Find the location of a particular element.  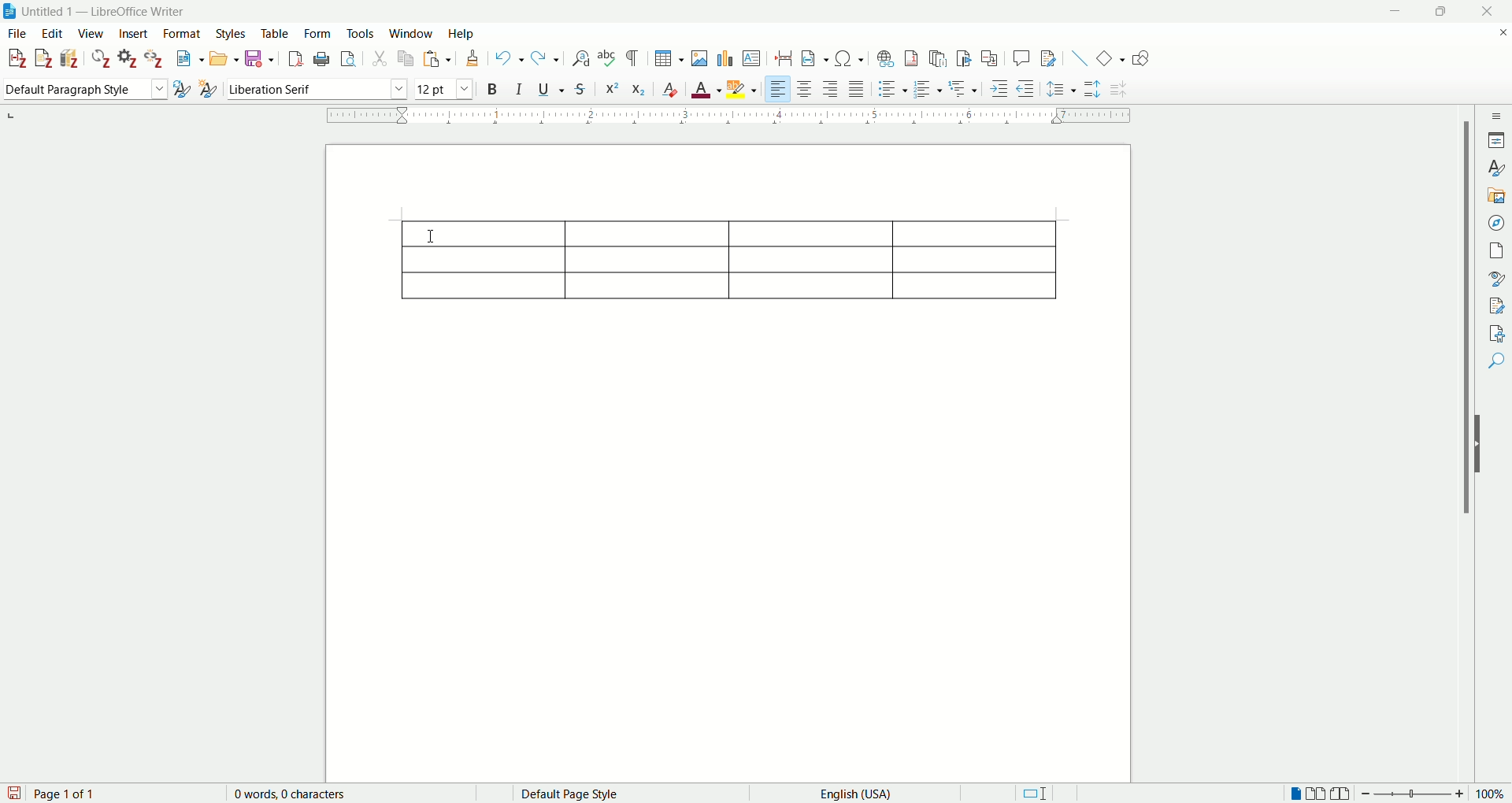

print preview is located at coordinates (346, 60).